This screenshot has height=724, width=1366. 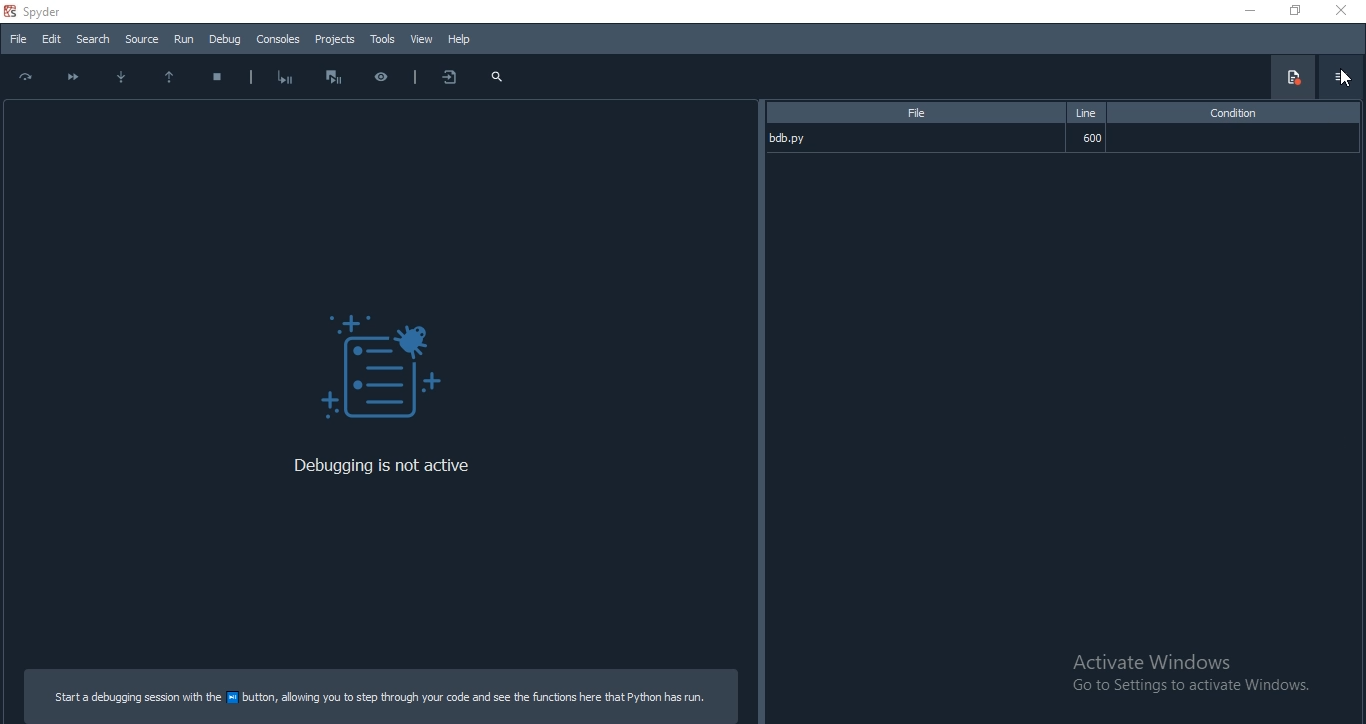 What do you see at coordinates (1296, 11) in the screenshot?
I see `Restore` at bounding box center [1296, 11].